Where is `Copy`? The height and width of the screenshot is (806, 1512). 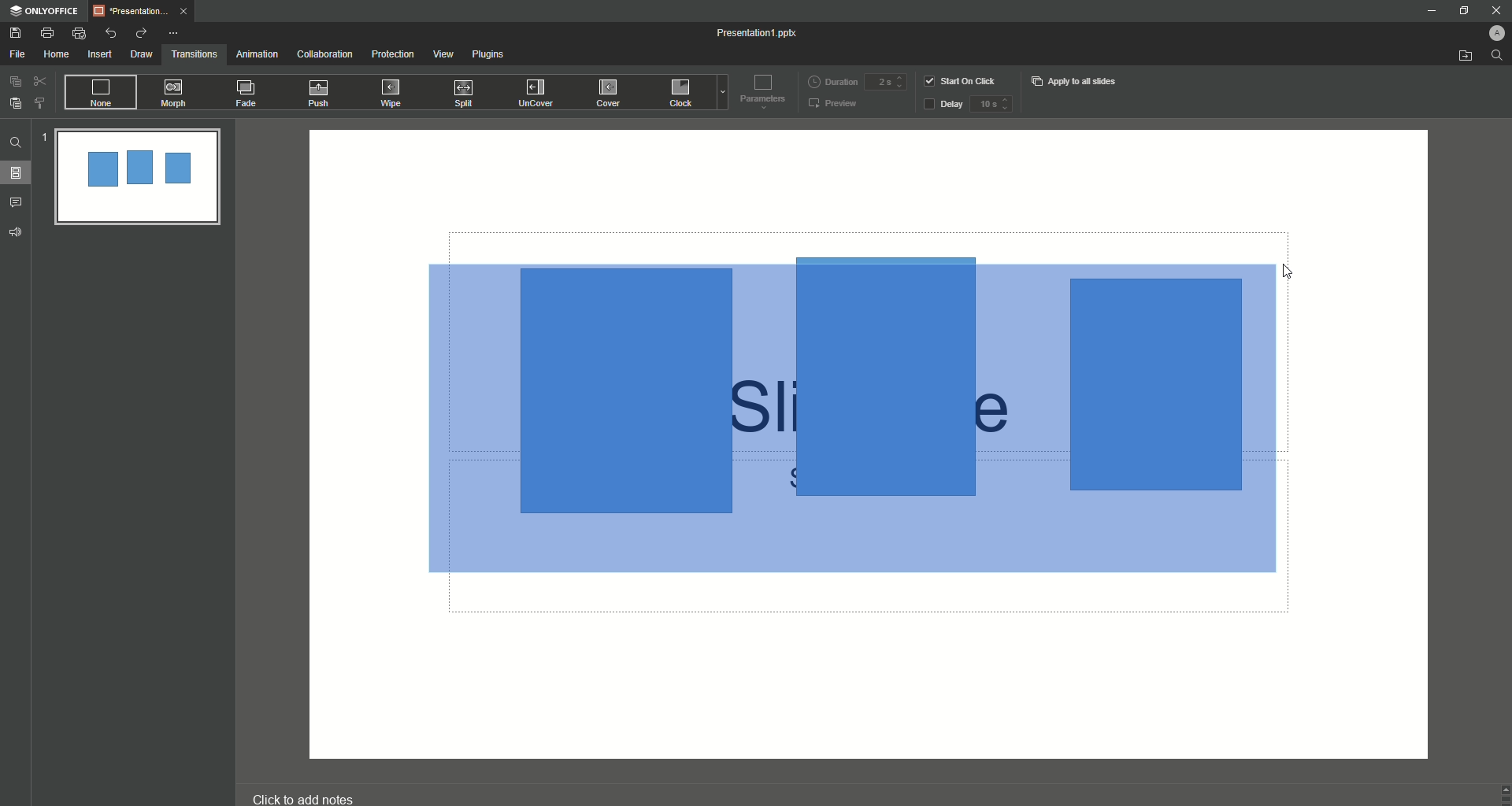 Copy is located at coordinates (15, 81).